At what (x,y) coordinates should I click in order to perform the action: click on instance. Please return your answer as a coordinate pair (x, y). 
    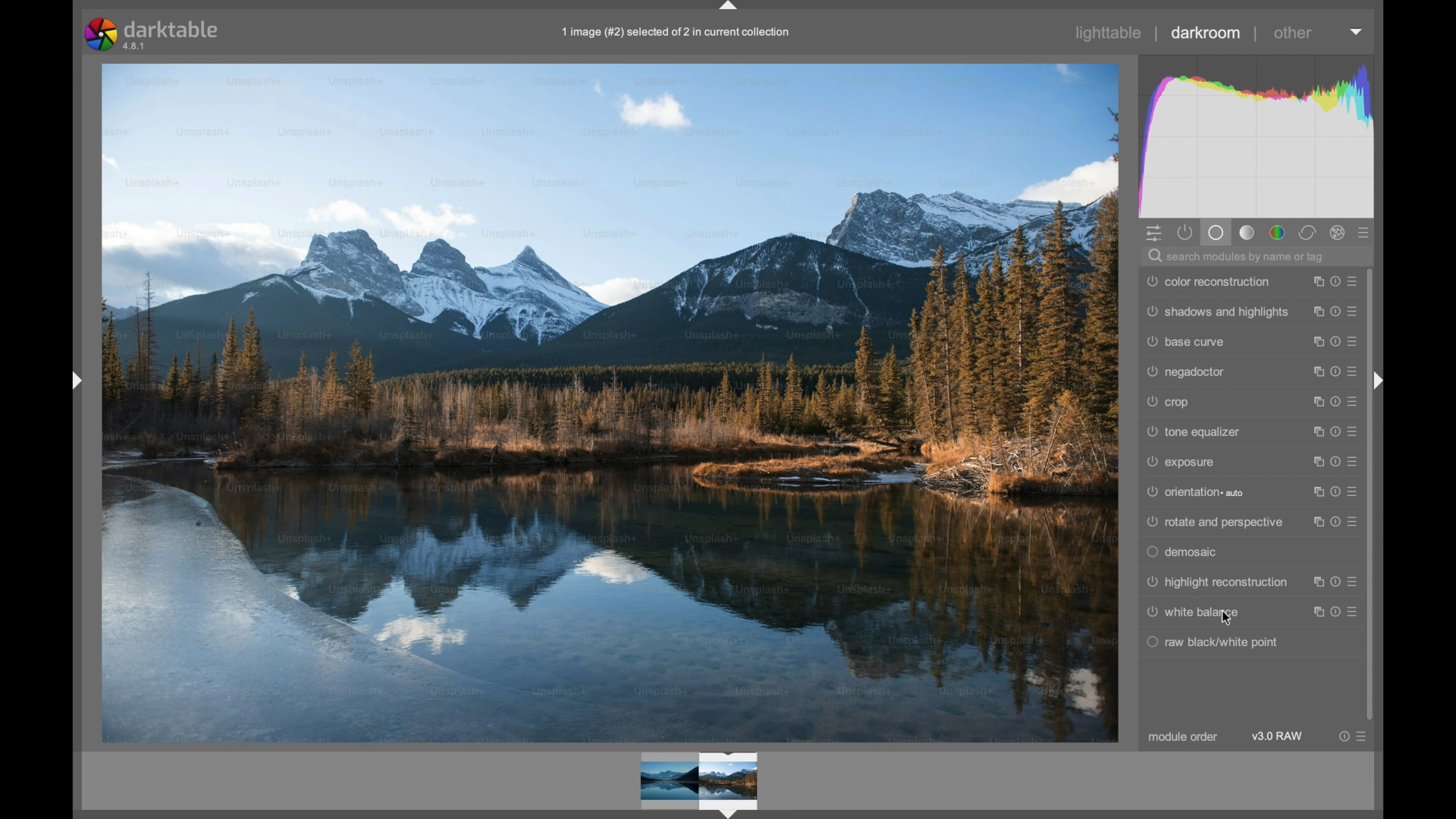
    Looking at the image, I should click on (1316, 402).